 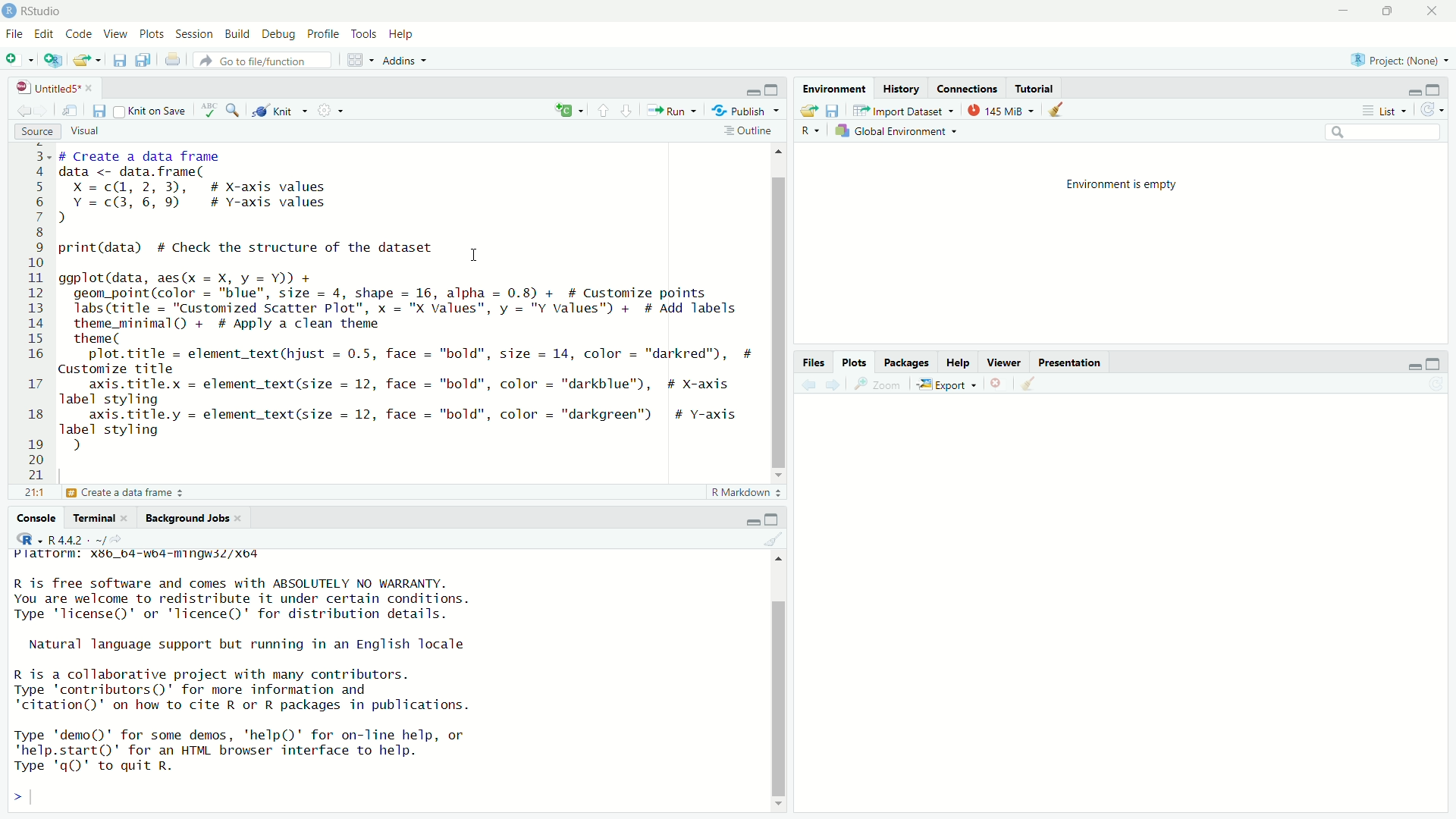 I want to click on Go forward to the next source location, so click(x=49, y=112).